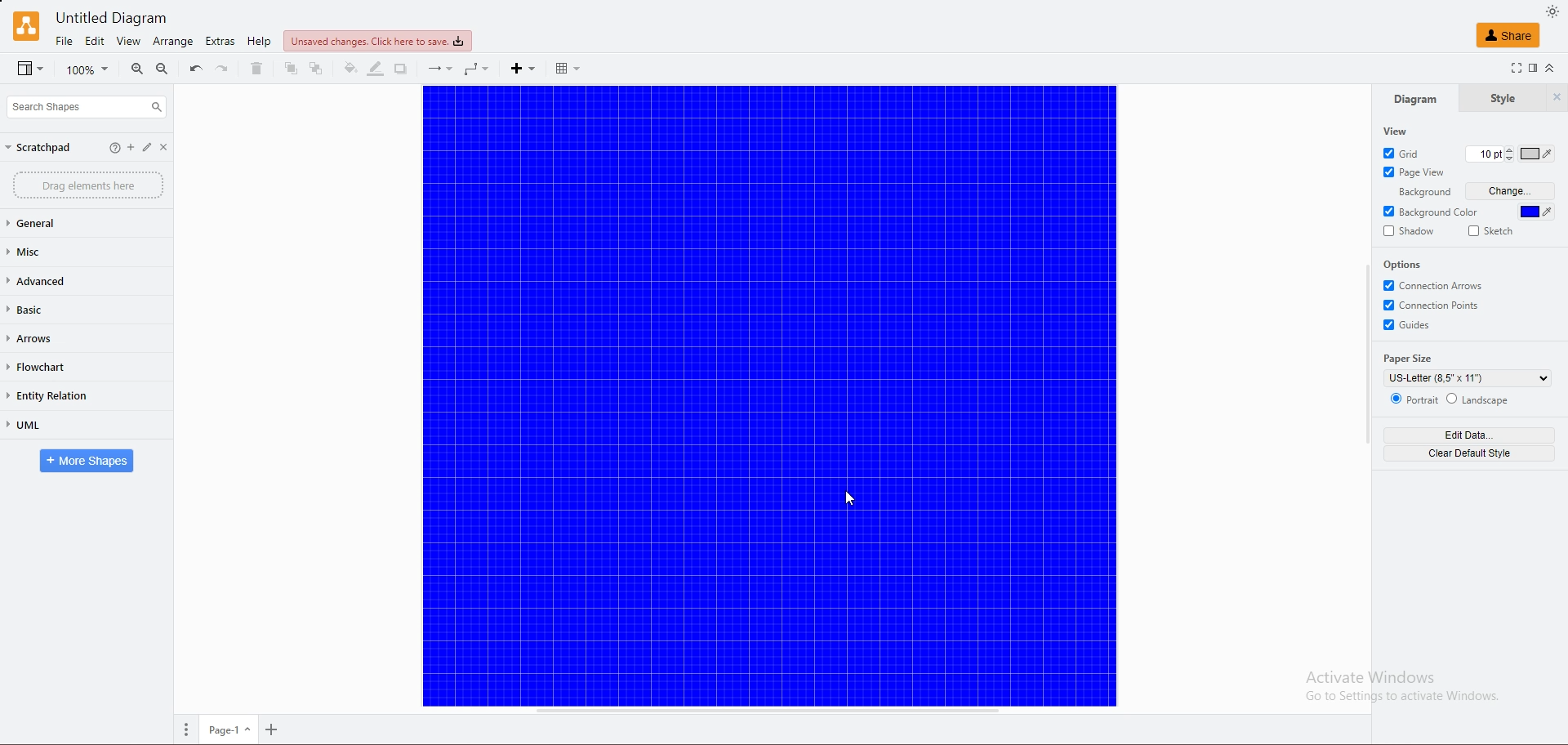 The height and width of the screenshot is (745, 1568). Describe the element at coordinates (231, 730) in the screenshot. I see `page 1` at that location.